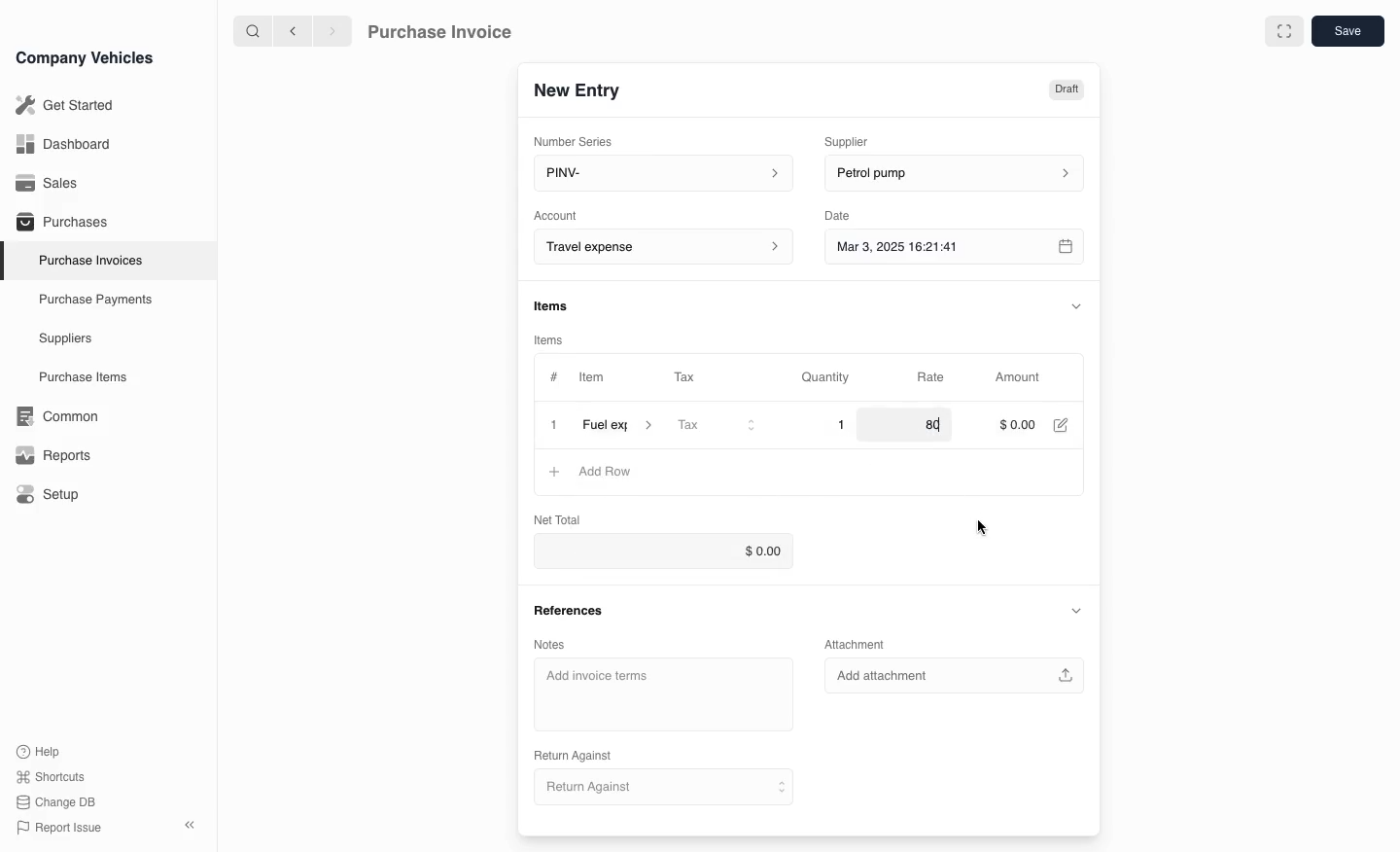 This screenshot has height=852, width=1400. I want to click on save, so click(1347, 30).